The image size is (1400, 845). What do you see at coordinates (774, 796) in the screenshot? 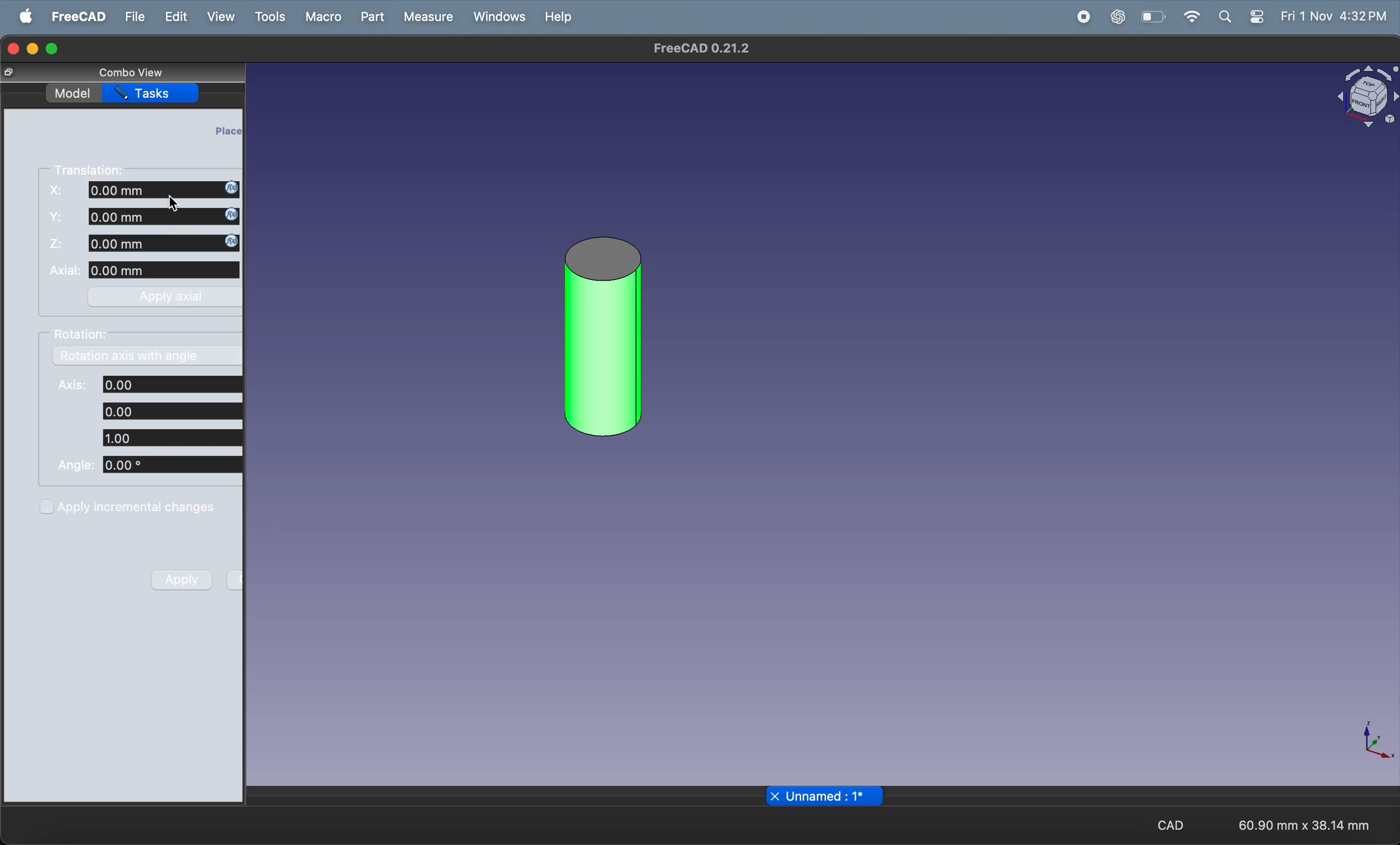
I see `close` at bounding box center [774, 796].